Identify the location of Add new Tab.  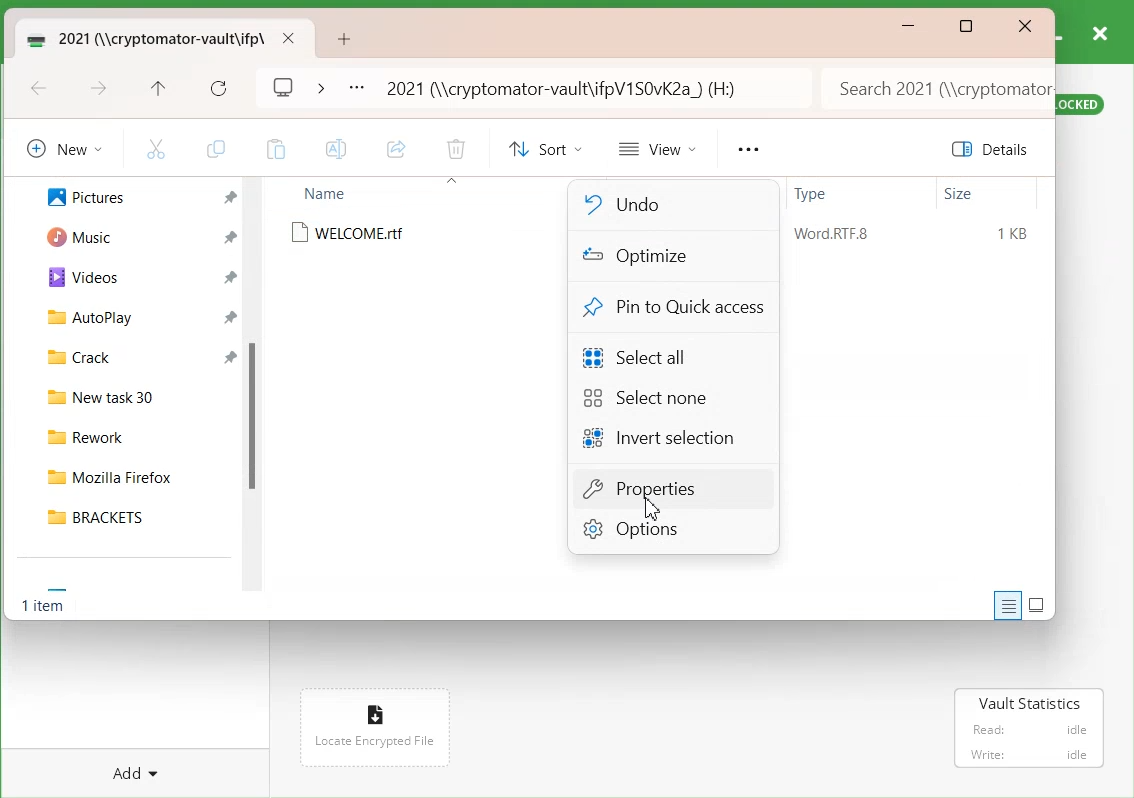
(347, 39).